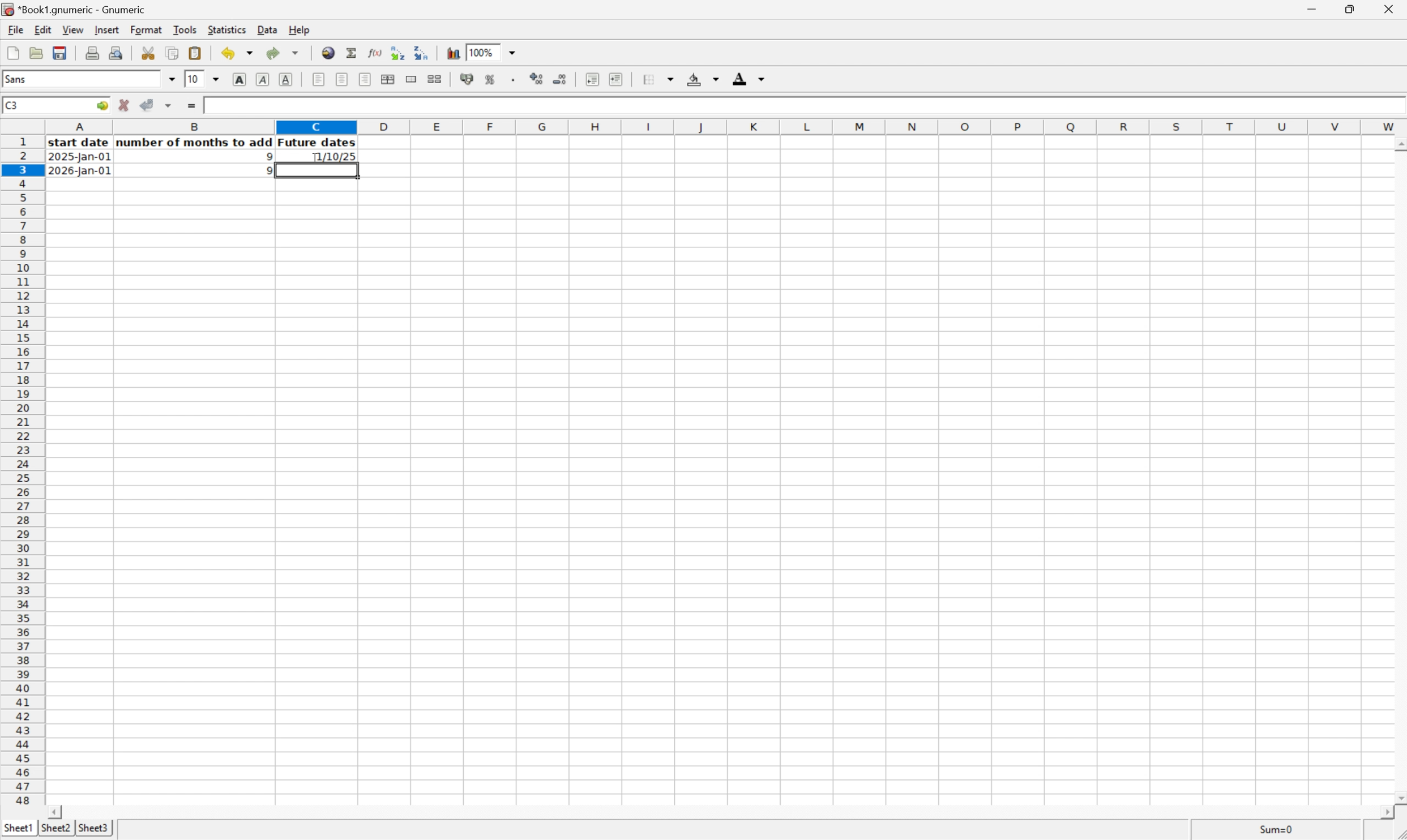 Image resolution: width=1407 pixels, height=840 pixels. Describe the element at coordinates (656, 79) in the screenshot. I see `Borders` at that location.